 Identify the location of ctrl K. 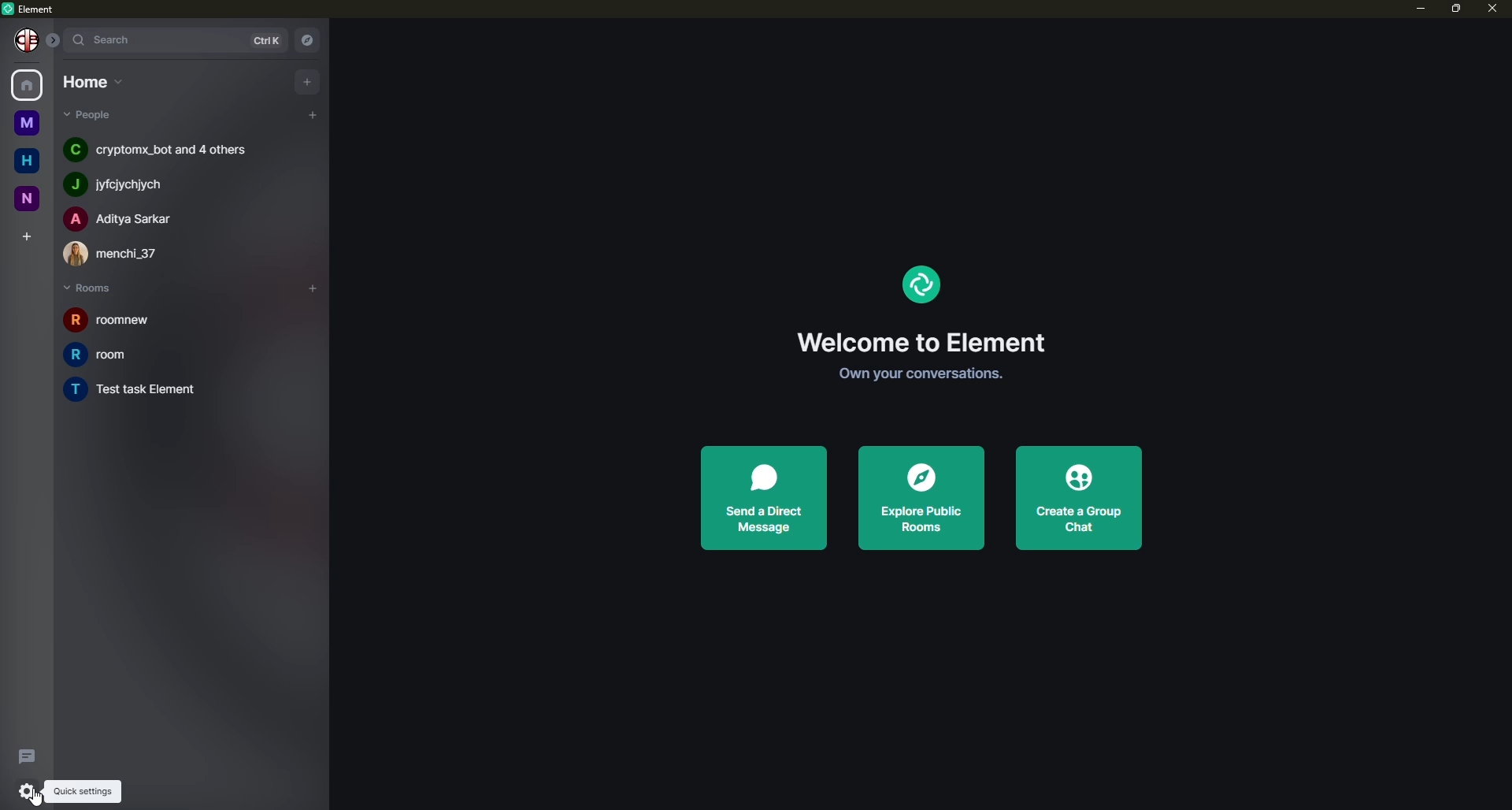
(261, 39).